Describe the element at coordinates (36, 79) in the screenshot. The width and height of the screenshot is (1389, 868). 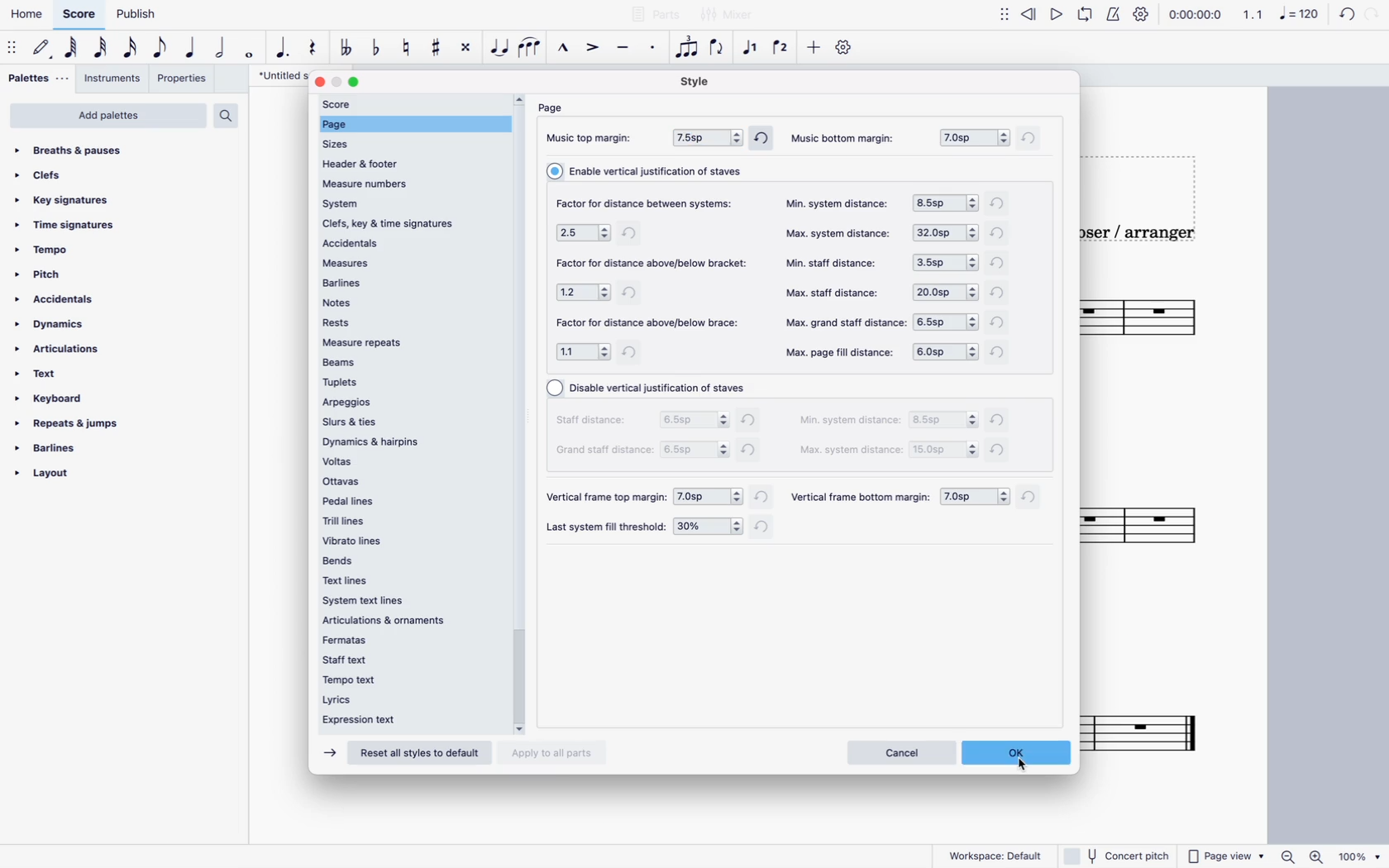
I see `palettes` at that location.